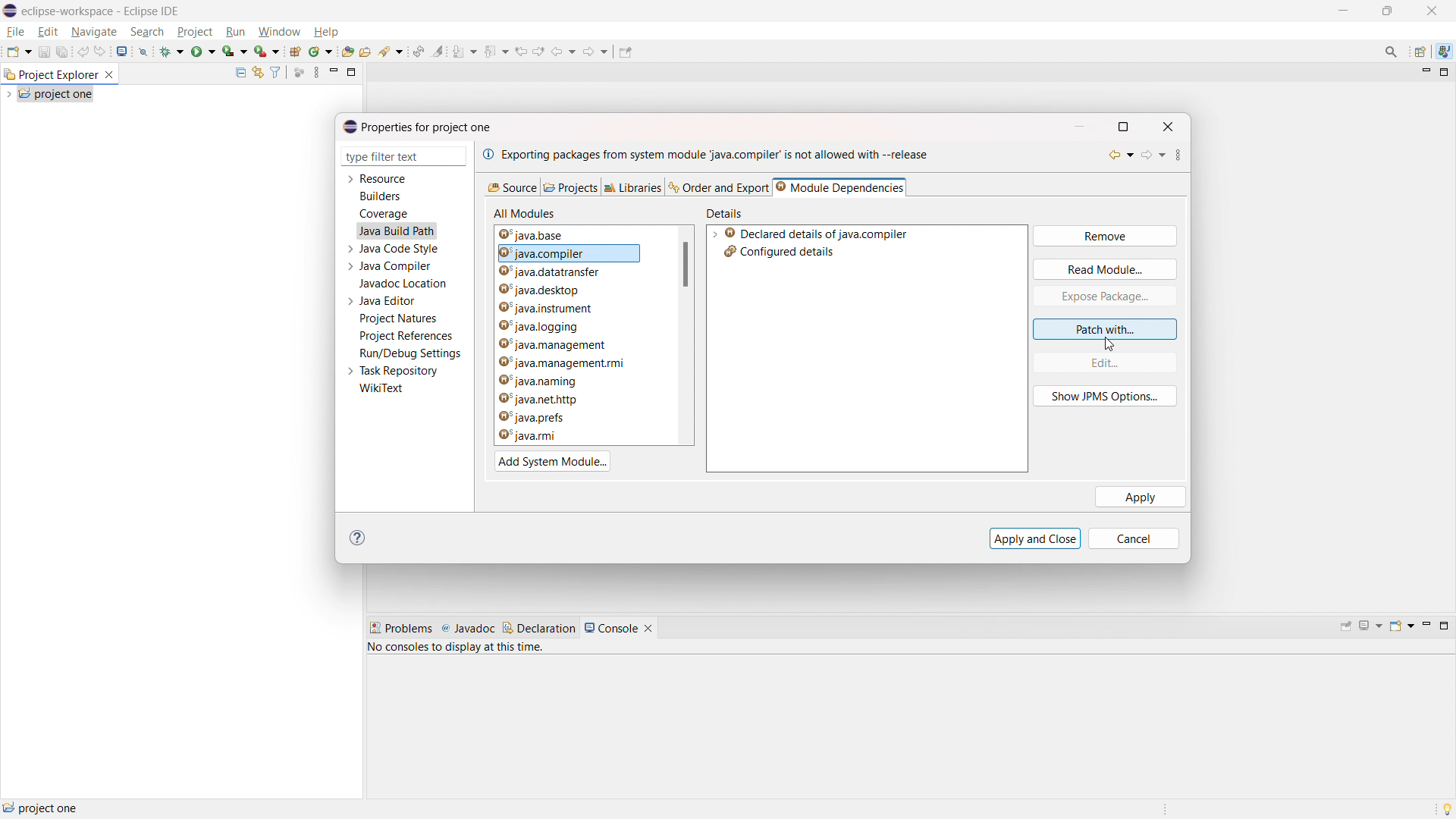  I want to click on expand resource, so click(350, 180).